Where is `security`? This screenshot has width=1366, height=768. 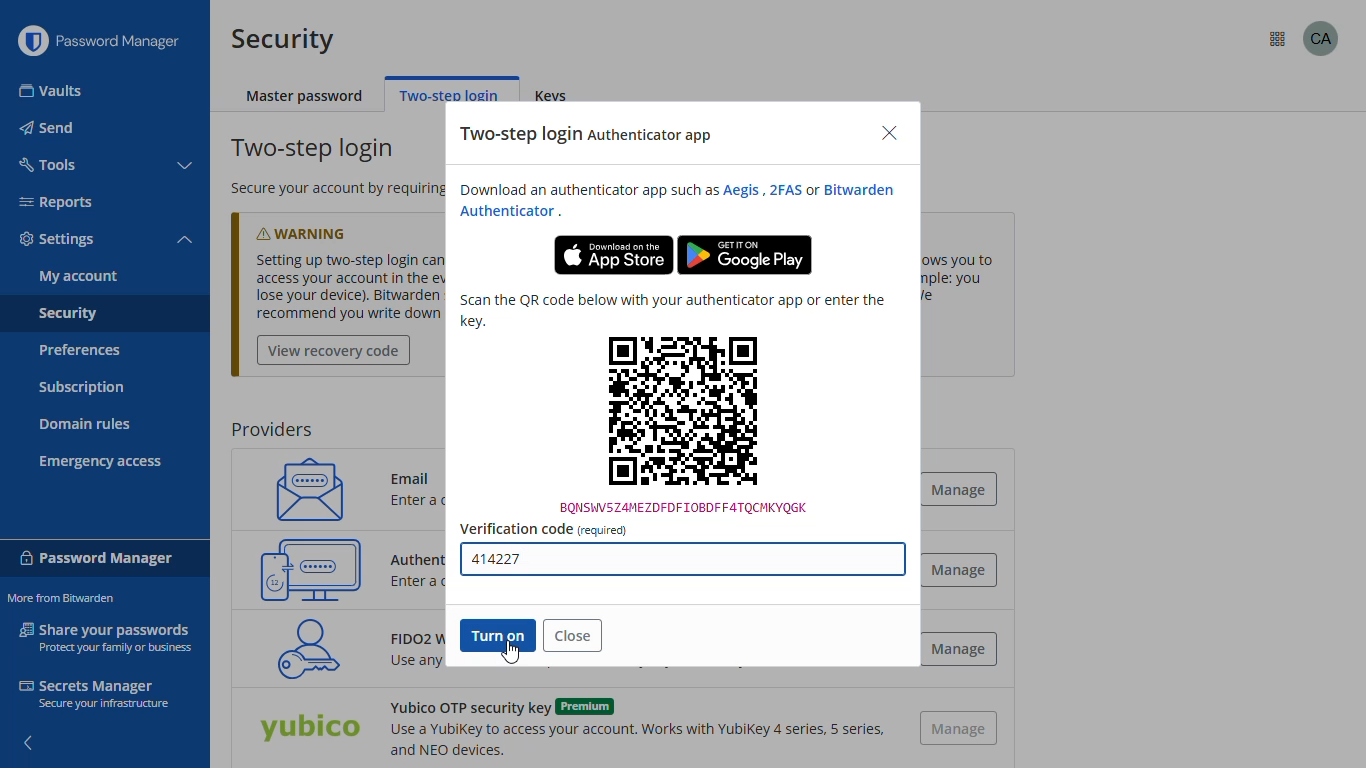 security is located at coordinates (283, 39).